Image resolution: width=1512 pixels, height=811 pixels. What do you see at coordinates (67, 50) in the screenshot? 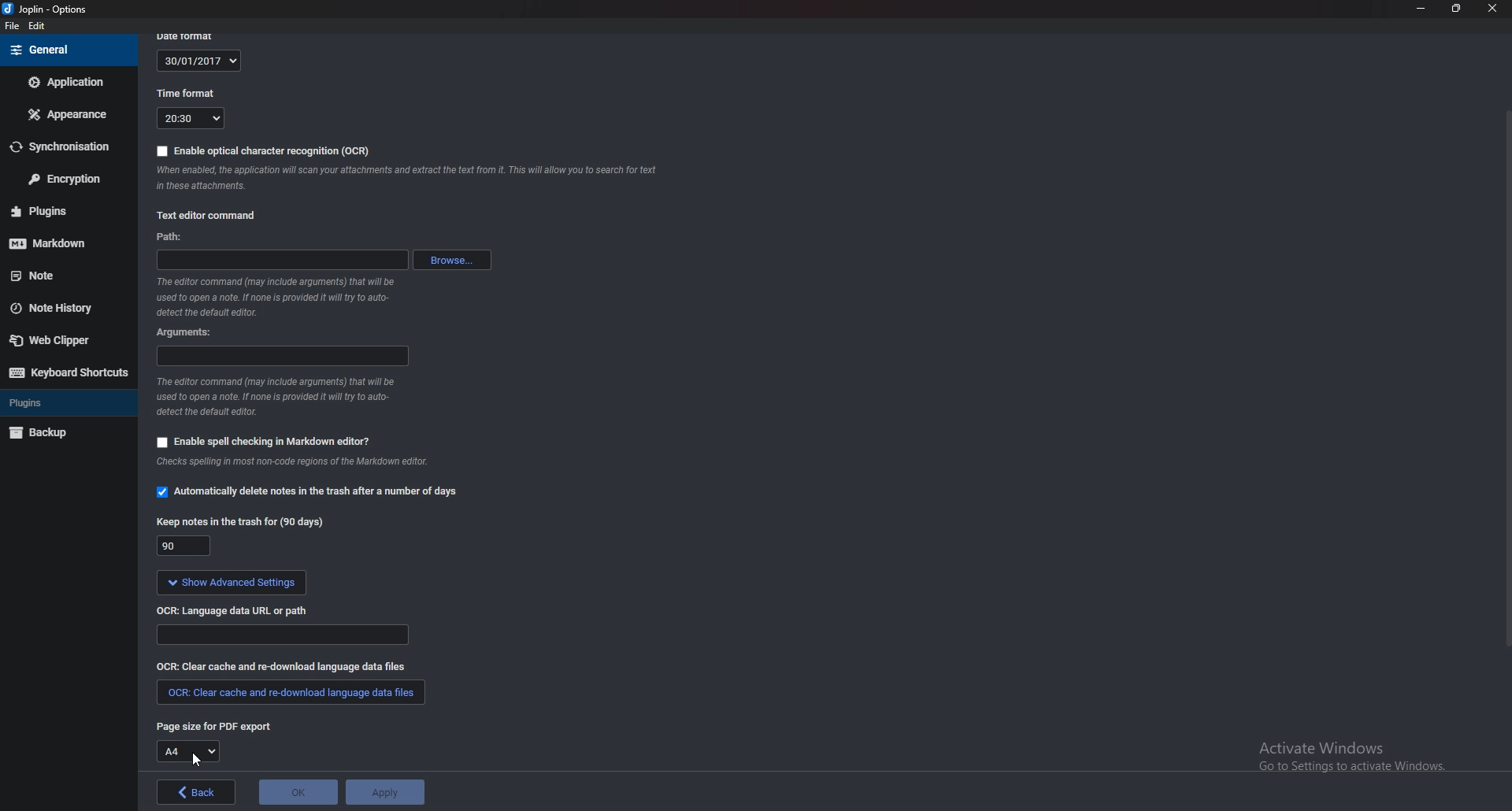
I see `General` at bounding box center [67, 50].